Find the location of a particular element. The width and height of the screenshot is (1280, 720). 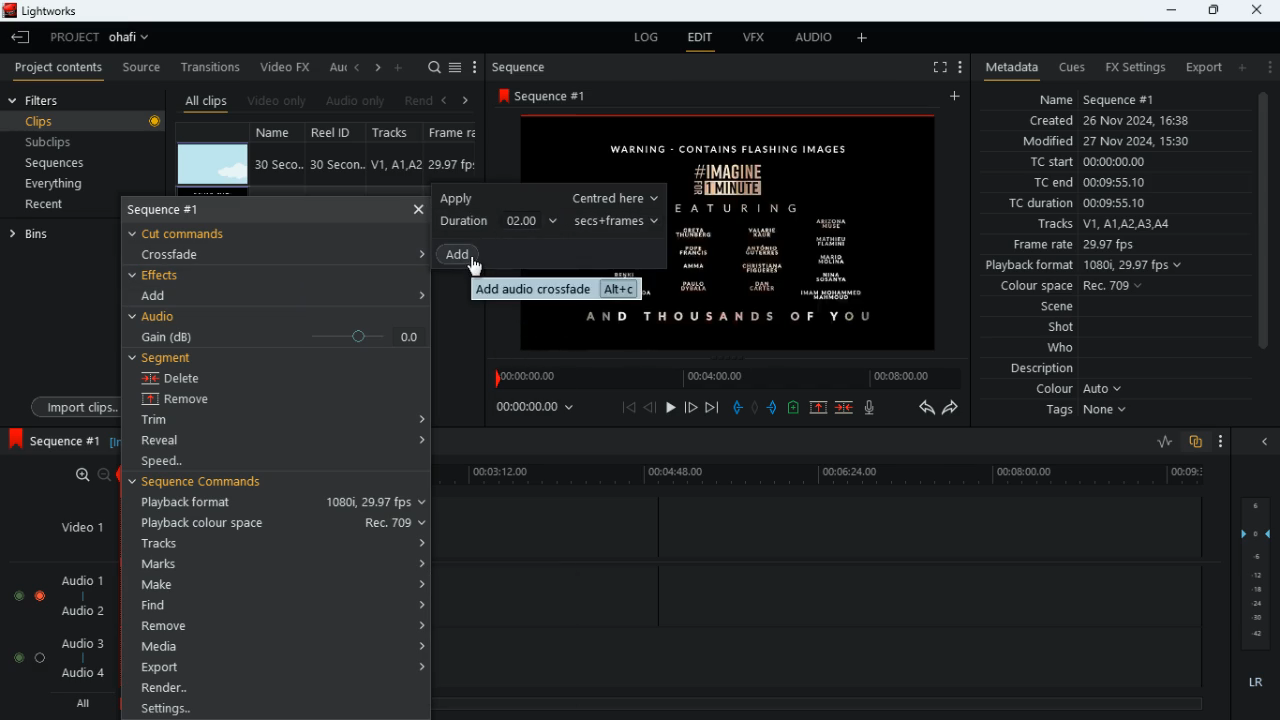

rend is located at coordinates (418, 102).